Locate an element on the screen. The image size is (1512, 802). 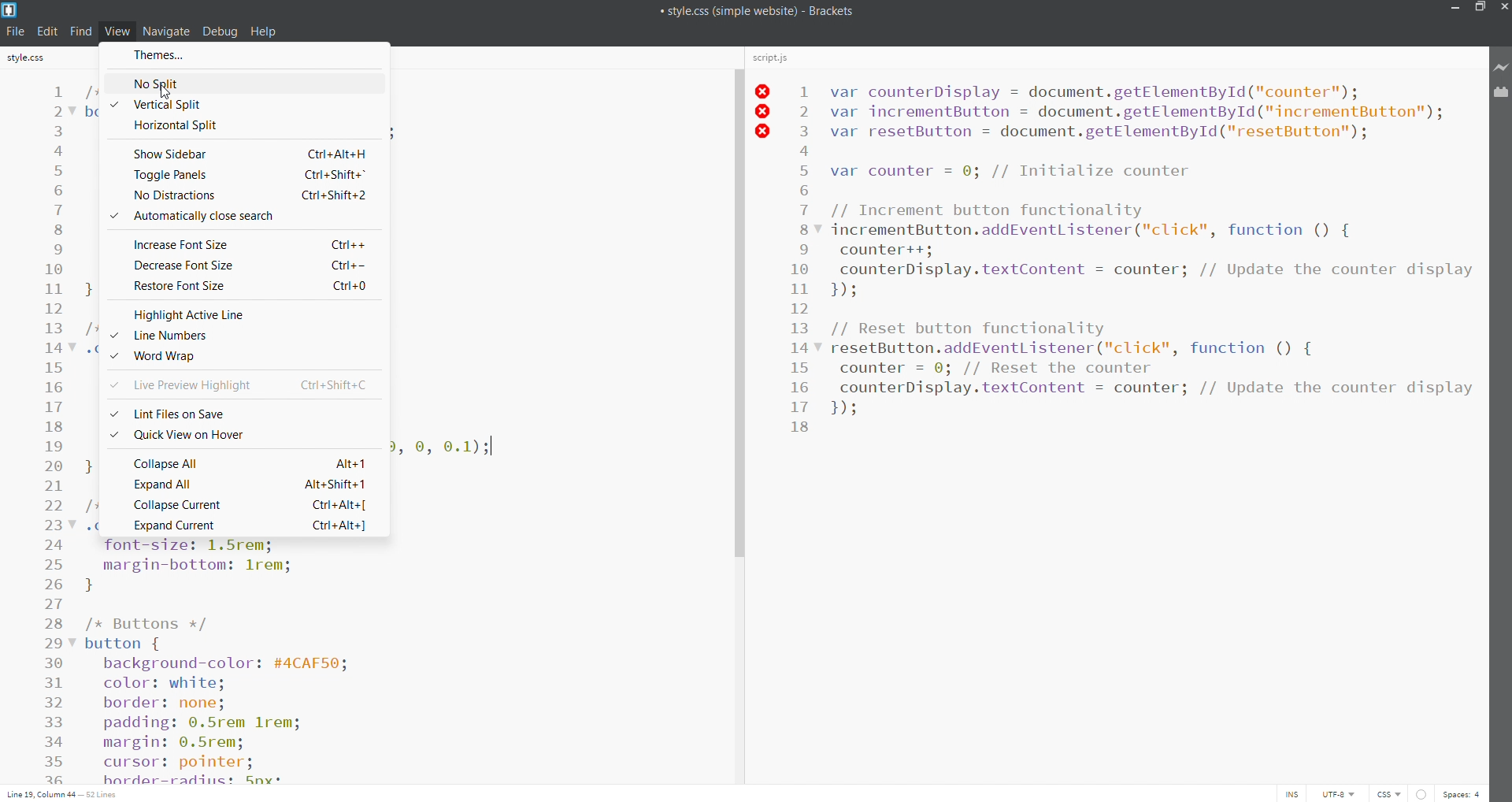
script.js window title bar is located at coordinates (1113, 60).